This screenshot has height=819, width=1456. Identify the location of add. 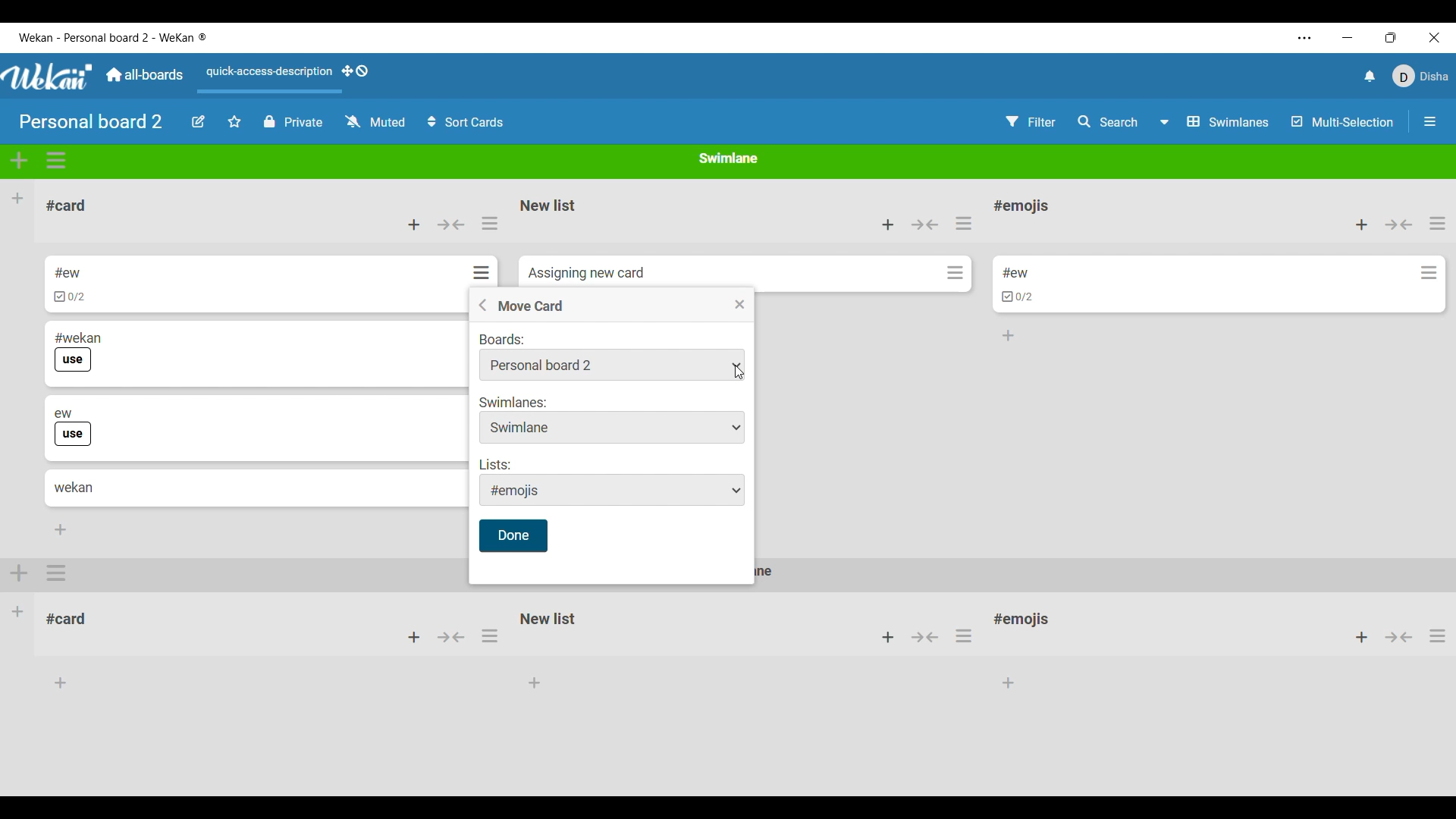
(1354, 638).